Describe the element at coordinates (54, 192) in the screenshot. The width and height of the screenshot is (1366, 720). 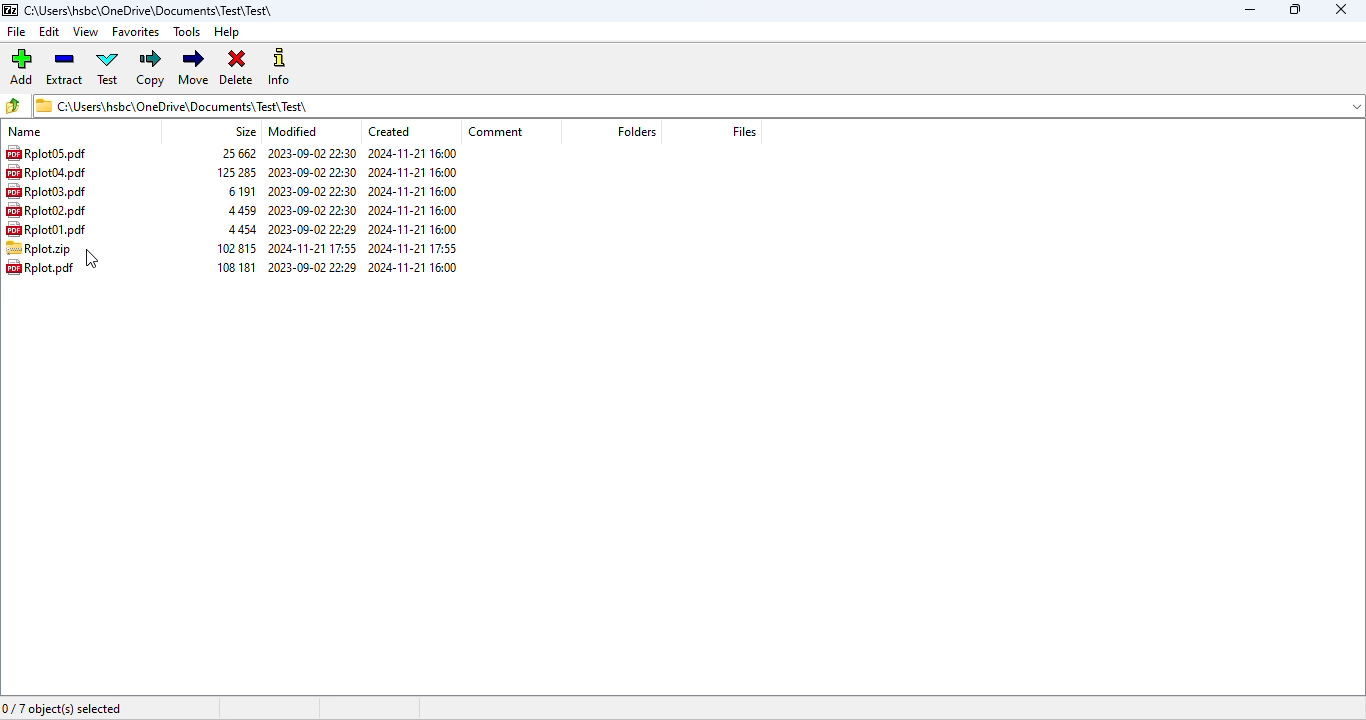
I see ` Rplot03.pdf` at that location.